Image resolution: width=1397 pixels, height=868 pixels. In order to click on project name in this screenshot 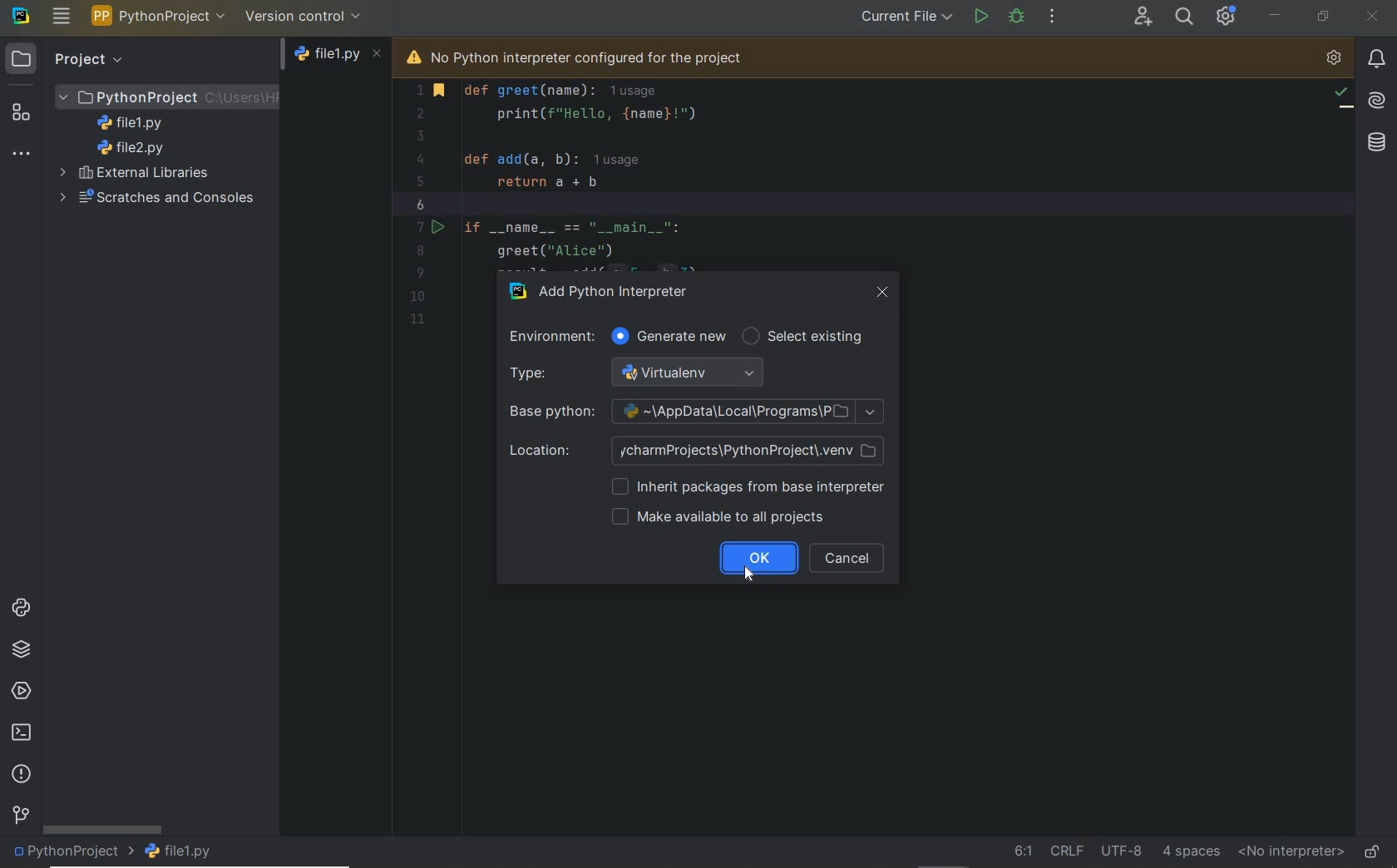, I will do `click(72, 853)`.